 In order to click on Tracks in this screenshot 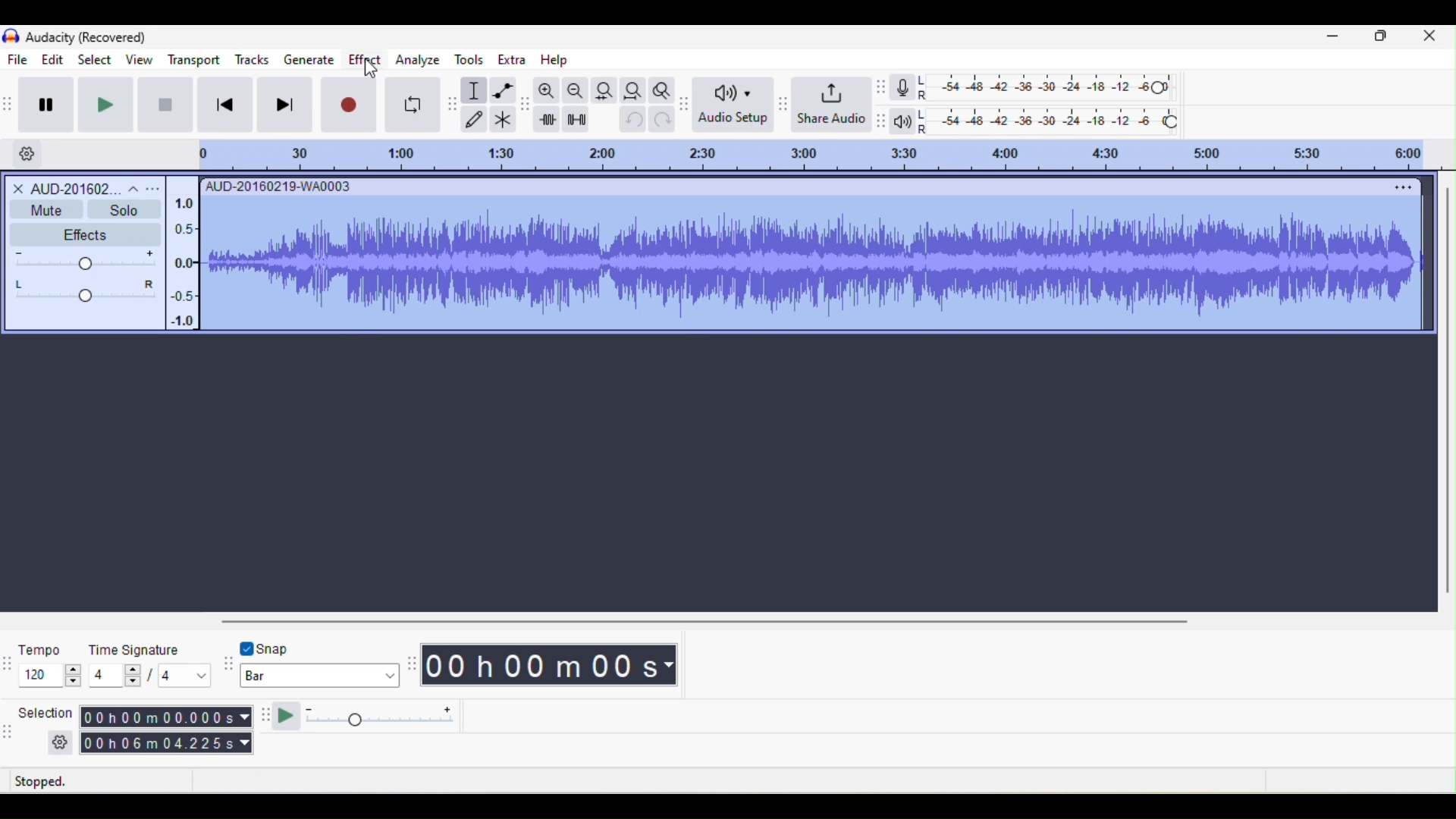, I will do `click(253, 58)`.